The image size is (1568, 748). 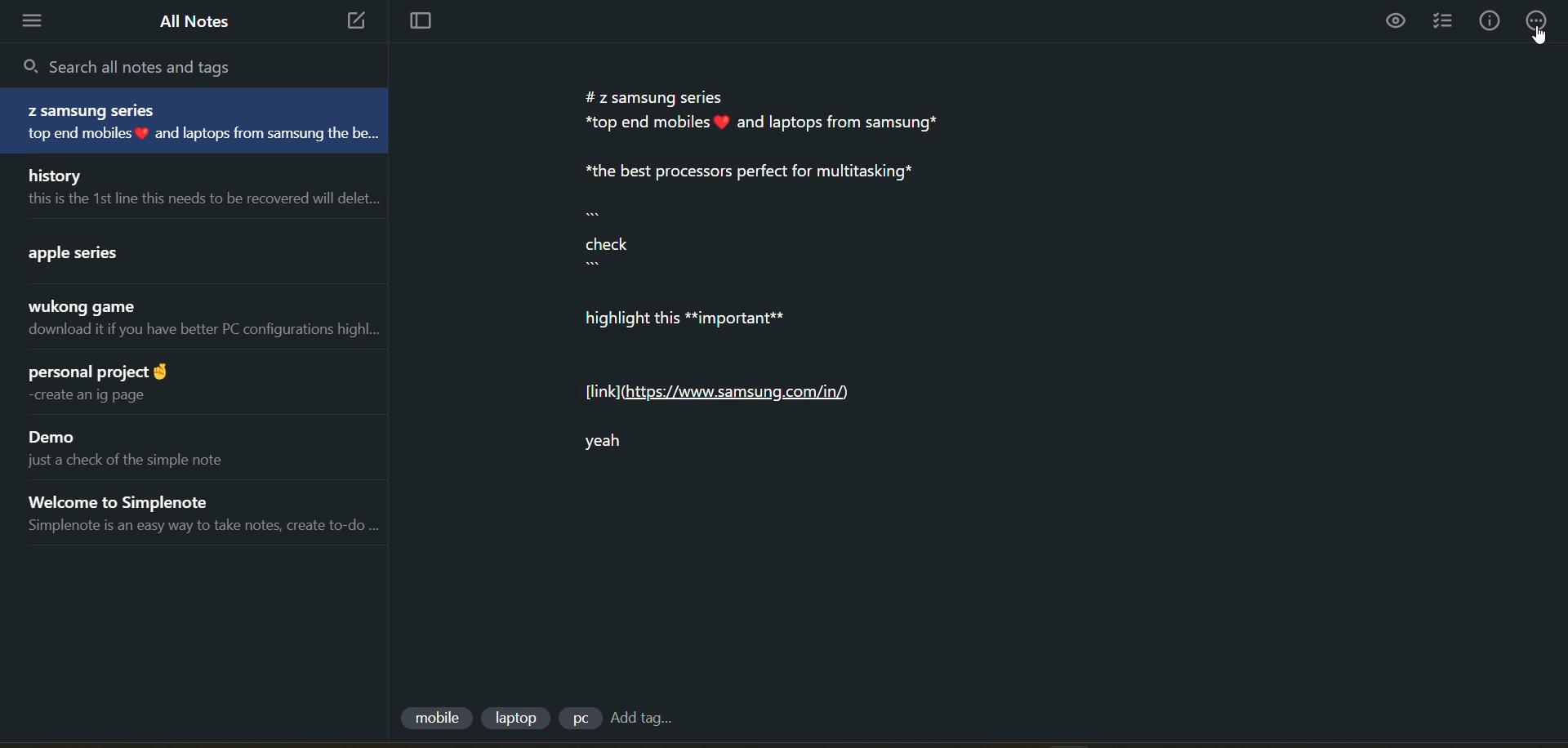 I want to click on note title and preview, so click(x=192, y=322).